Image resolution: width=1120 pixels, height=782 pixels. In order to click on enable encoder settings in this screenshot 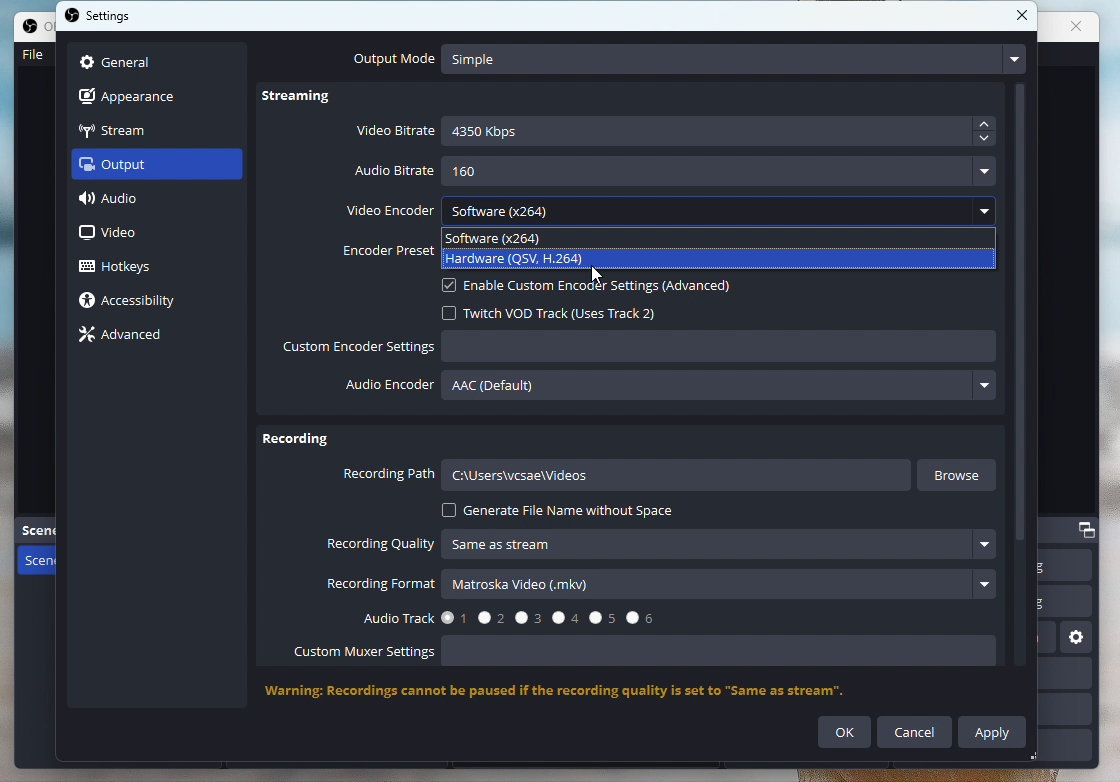, I will do `click(607, 286)`.